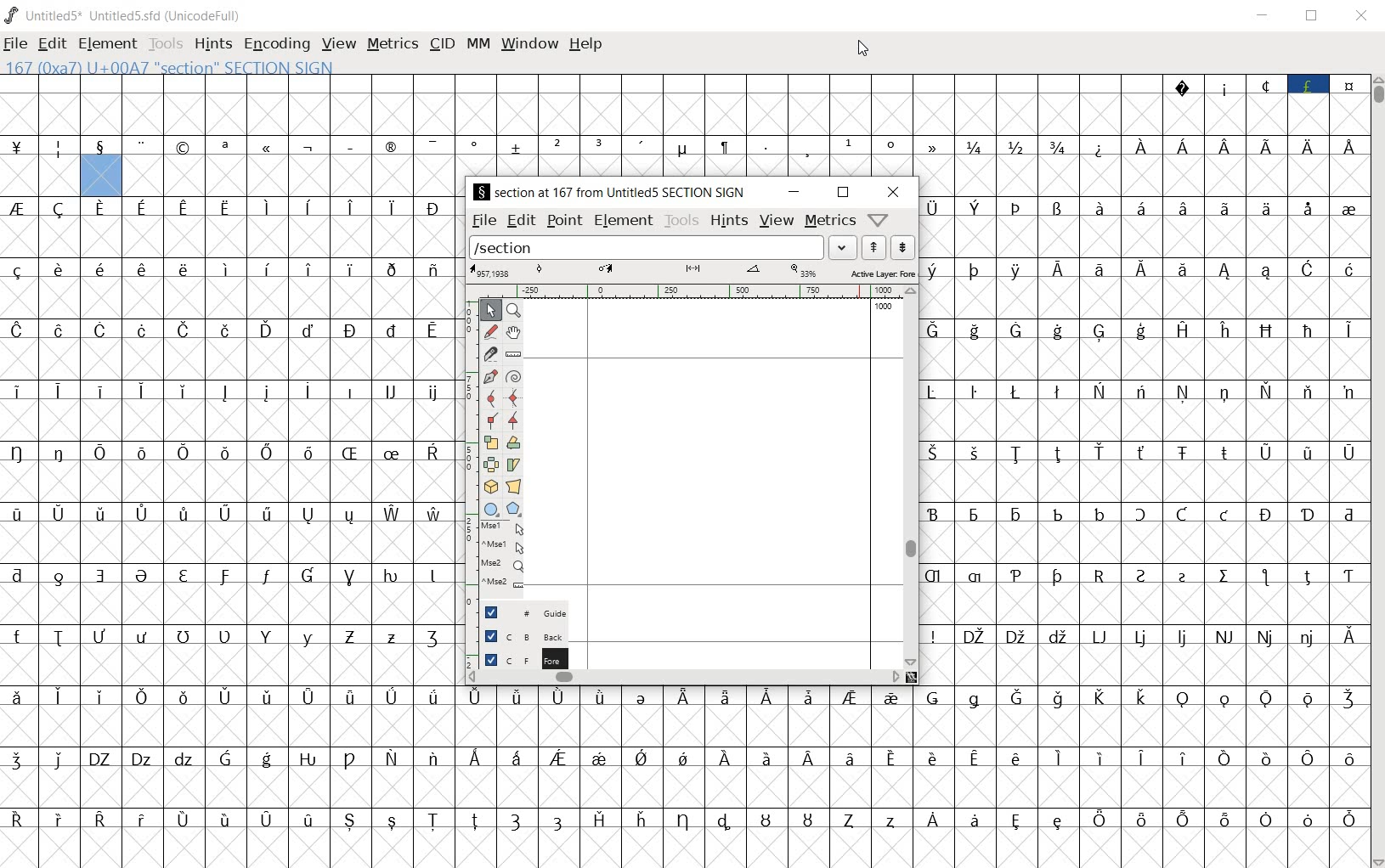  I want to click on FILE, so click(17, 44).